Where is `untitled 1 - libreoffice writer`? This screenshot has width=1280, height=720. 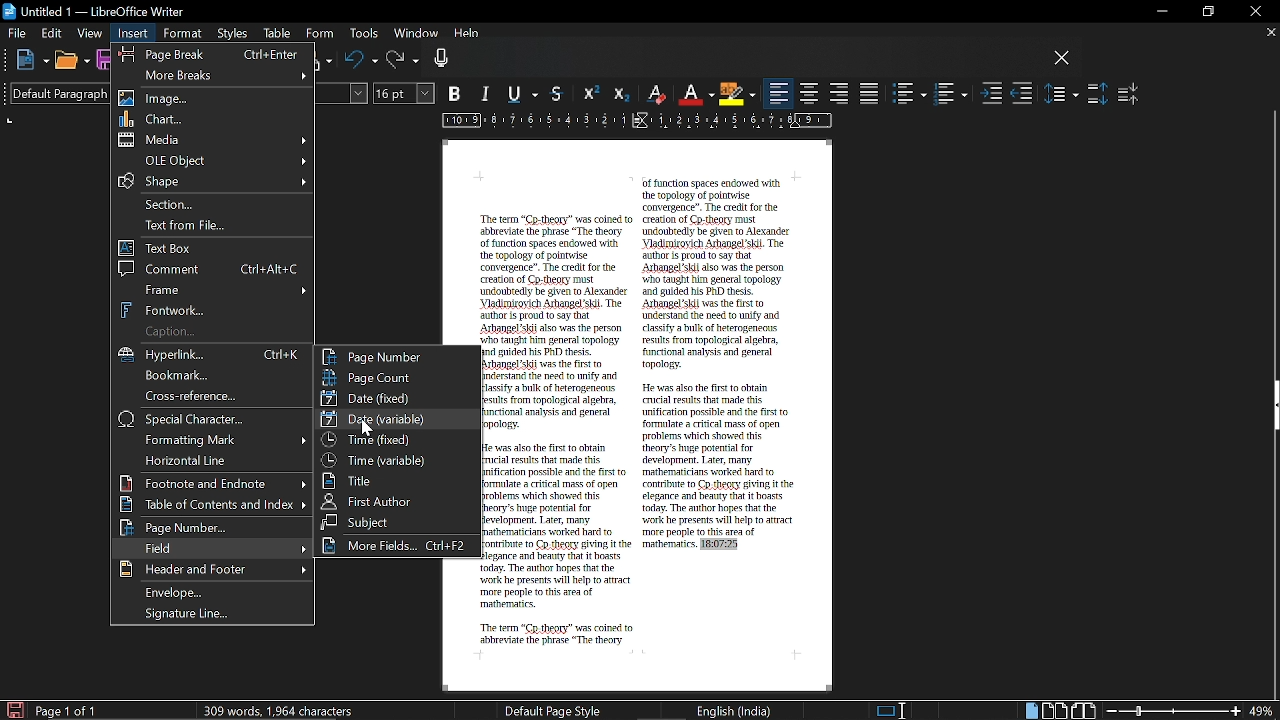 untitled 1 - libreoffice writer is located at coordinates (97, 9).